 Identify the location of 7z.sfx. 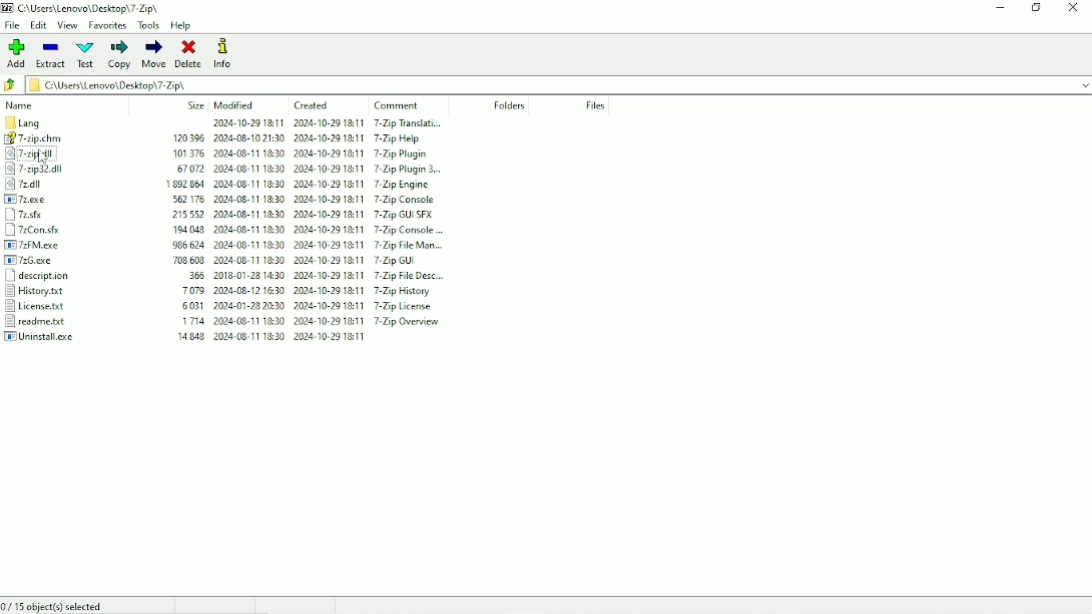
(221, 214).